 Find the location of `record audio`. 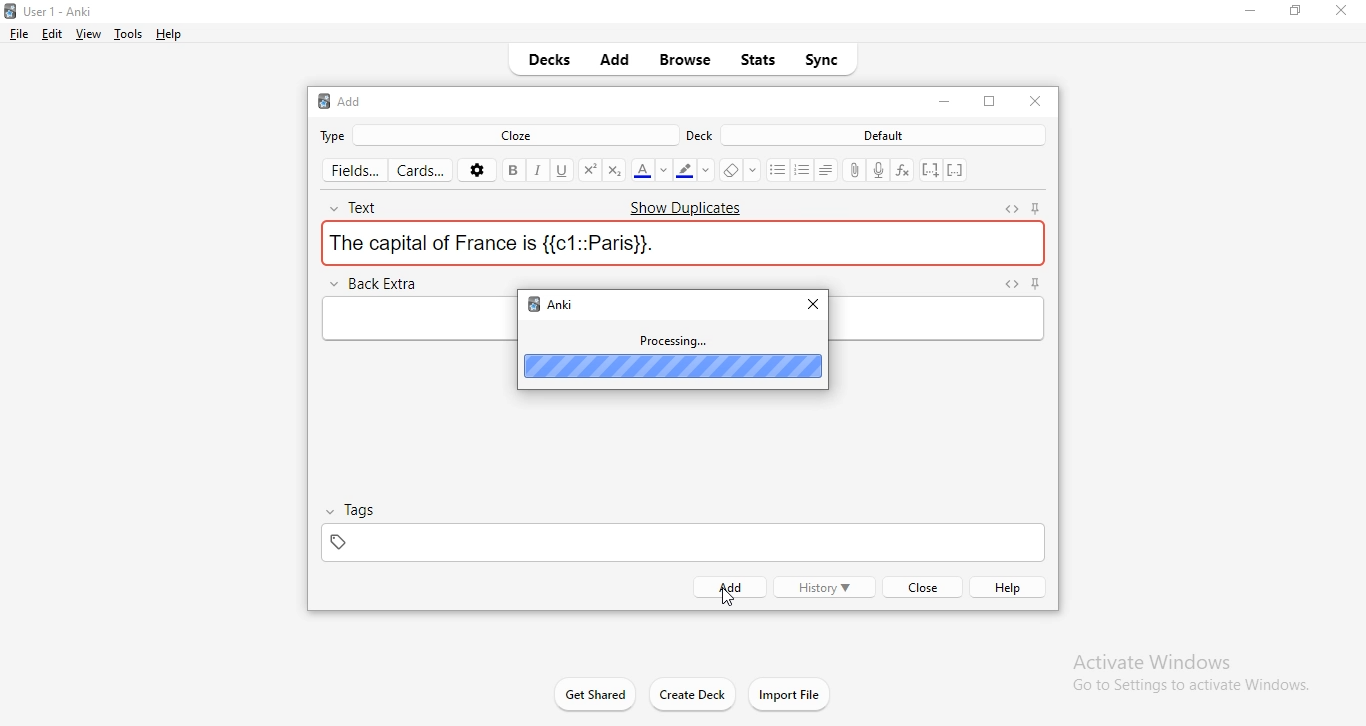

record audio is located at coordinates (880, 169).